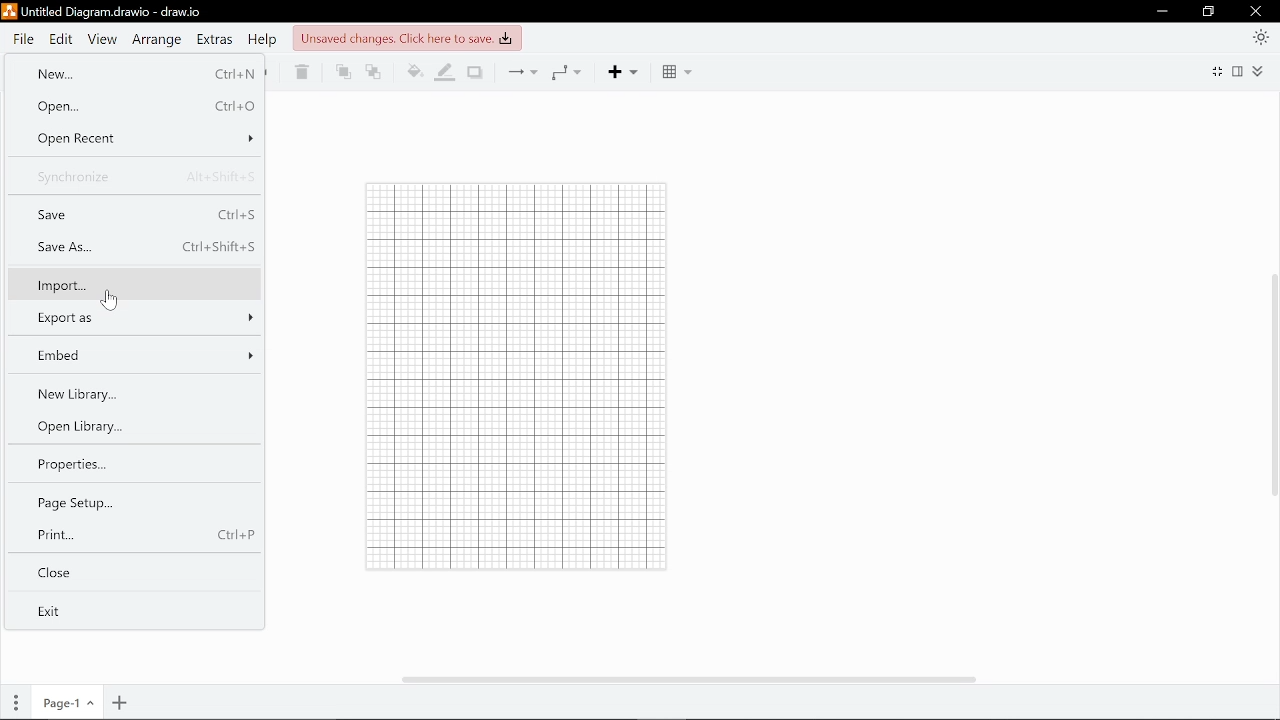 This screenshot has height=720, width=1280. Describe the element at coordinates (1258, 37) in the screenshot. I see `Appearence` at that location.